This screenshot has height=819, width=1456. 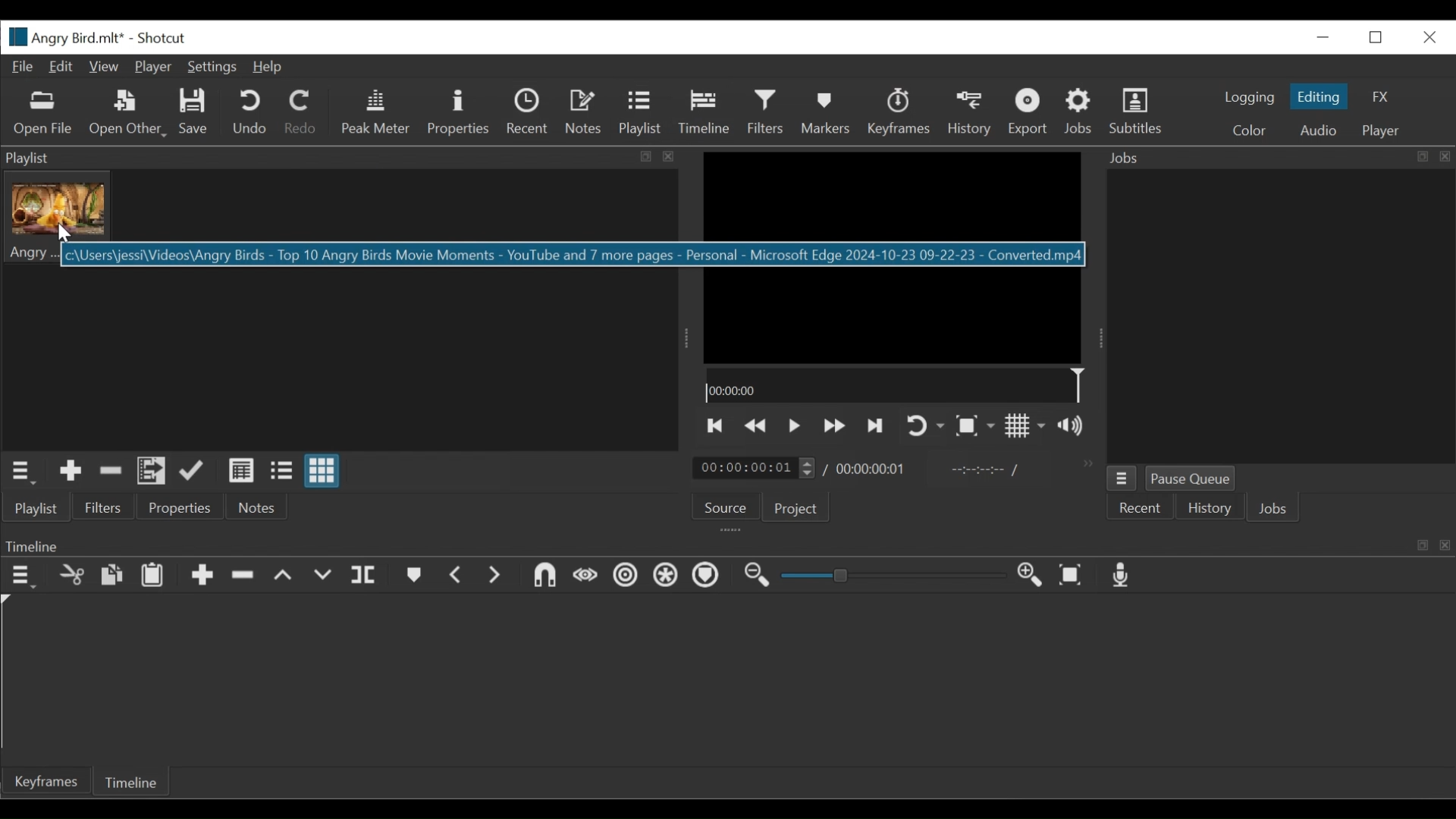 What do you see at coordinates (74, 472) in the screenshot?
I see `Add Source to the playlist` at bounding box center [74, 472].